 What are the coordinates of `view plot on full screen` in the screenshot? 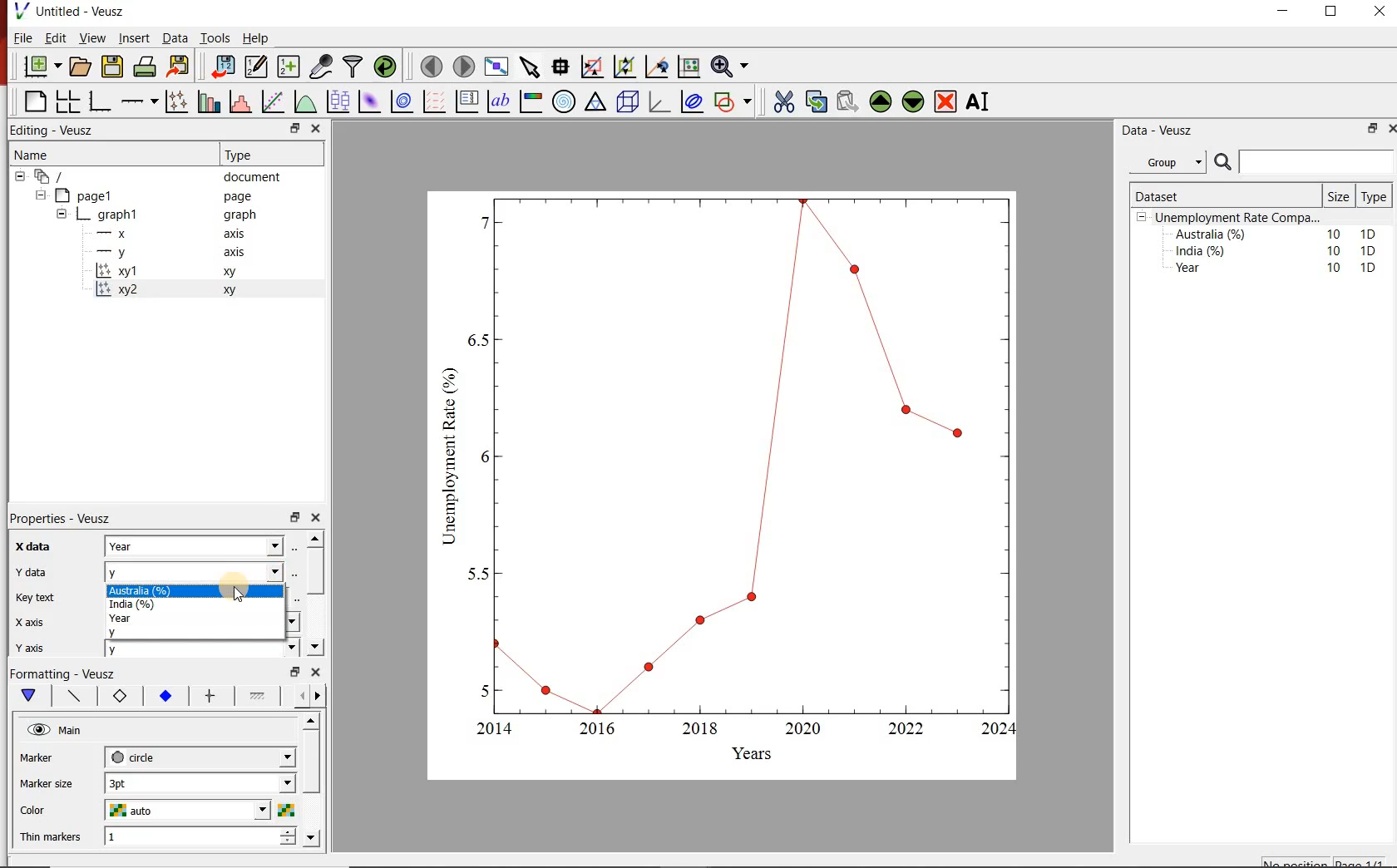 It's located at (498, 66).